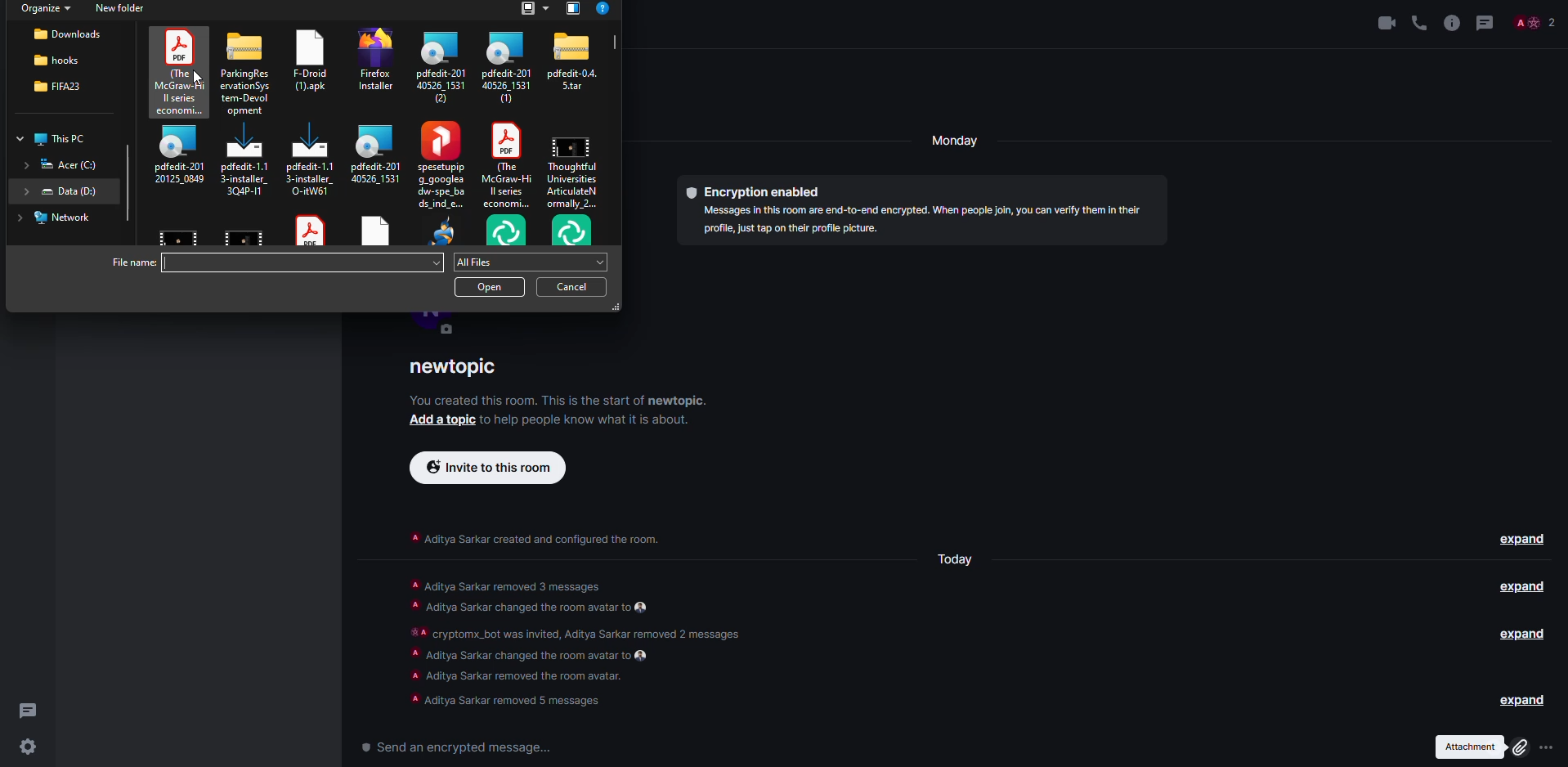 The image size is (1568, 767). What do you see at coordinates (574, 9) in the screenshot?
I see `view` at bounding box center [574, 9].